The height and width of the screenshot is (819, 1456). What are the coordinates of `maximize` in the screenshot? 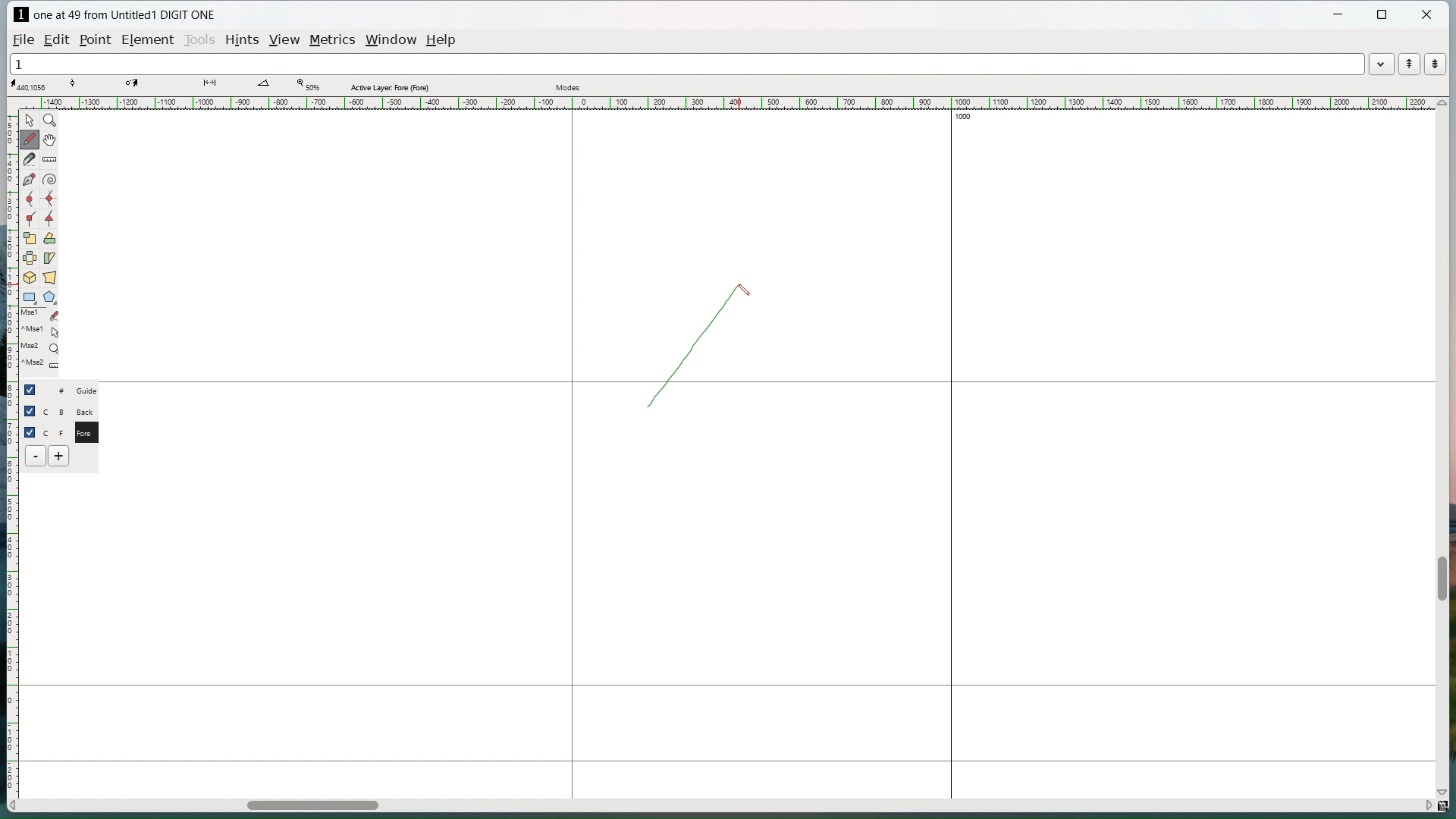 It's located at (1383, 15).